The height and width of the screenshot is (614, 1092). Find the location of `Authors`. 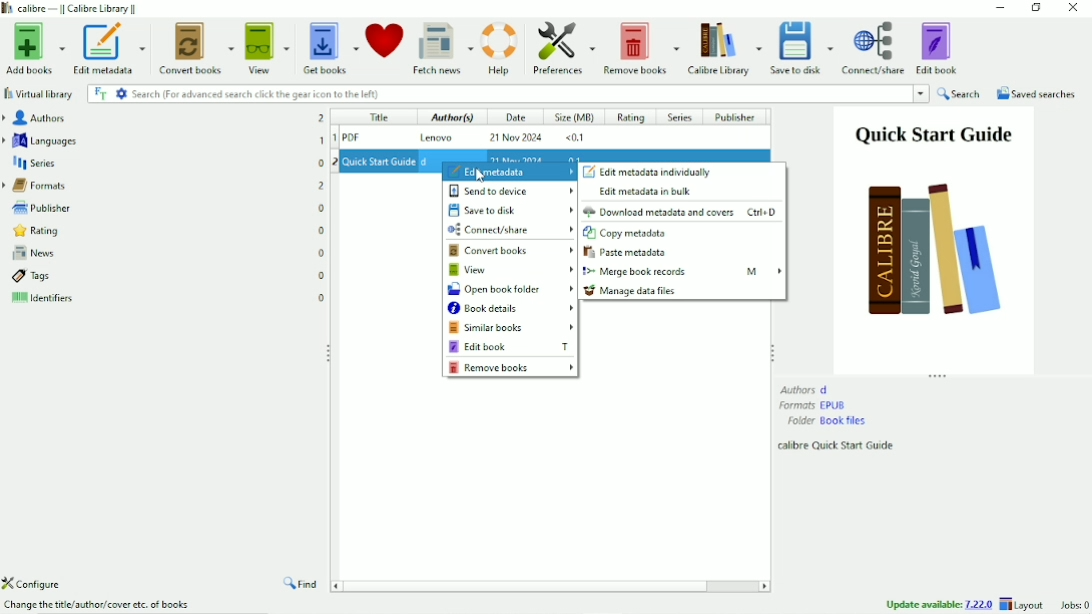

Authors is located at coordinates (805, 389).